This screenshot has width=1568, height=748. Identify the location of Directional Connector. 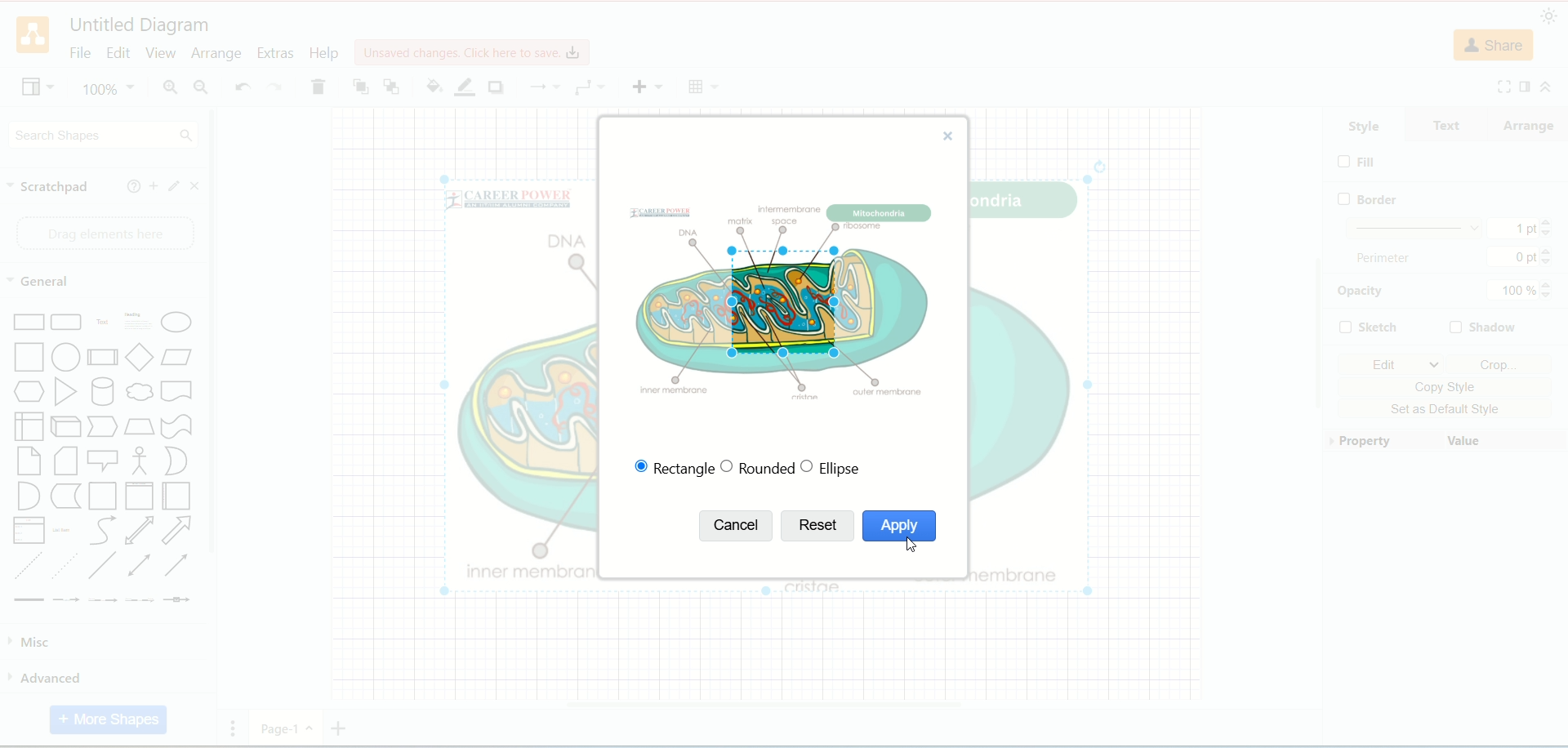
(180, 568).